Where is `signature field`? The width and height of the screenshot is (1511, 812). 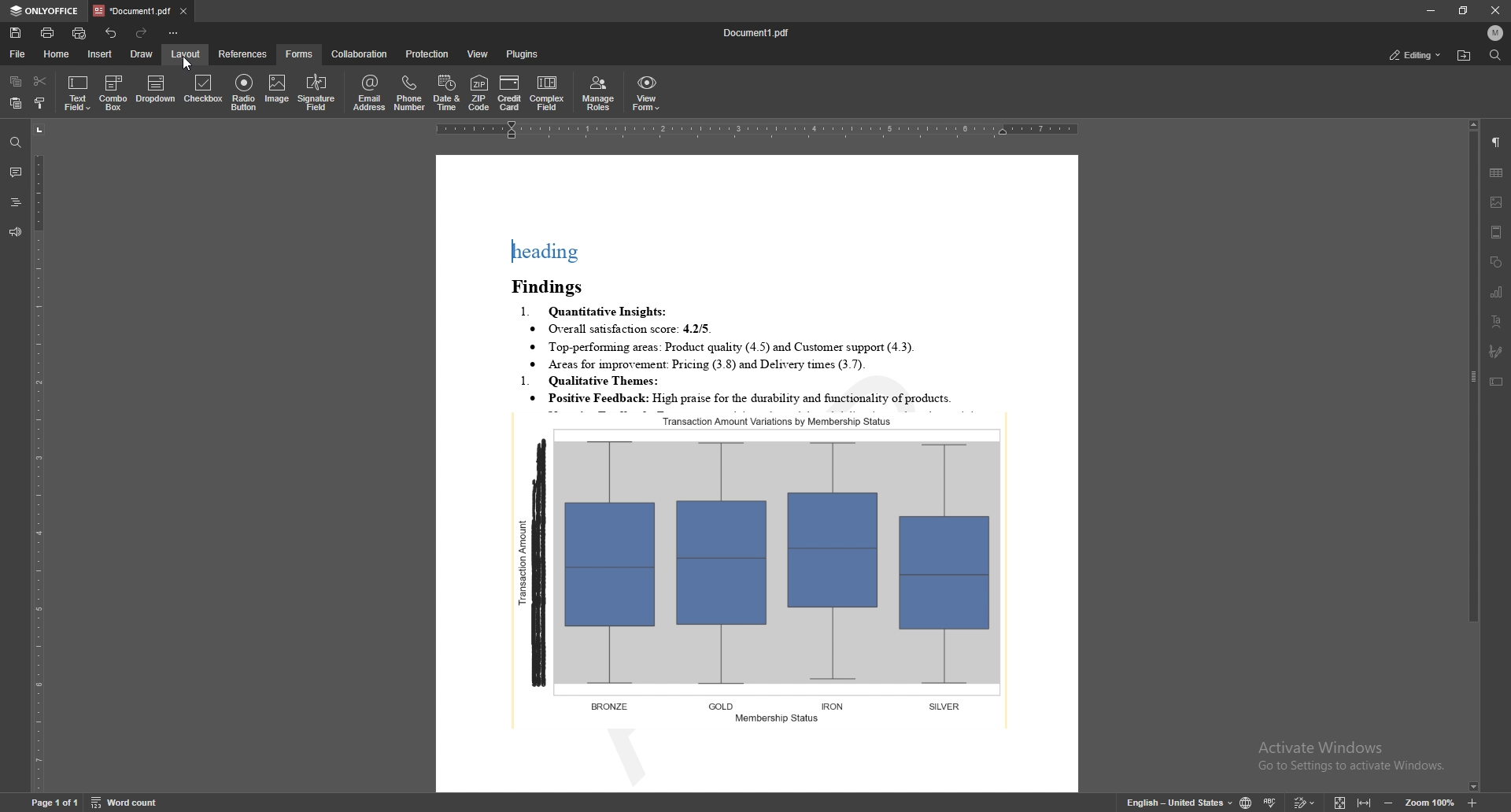
signature field is located at coordinates (317, 92).